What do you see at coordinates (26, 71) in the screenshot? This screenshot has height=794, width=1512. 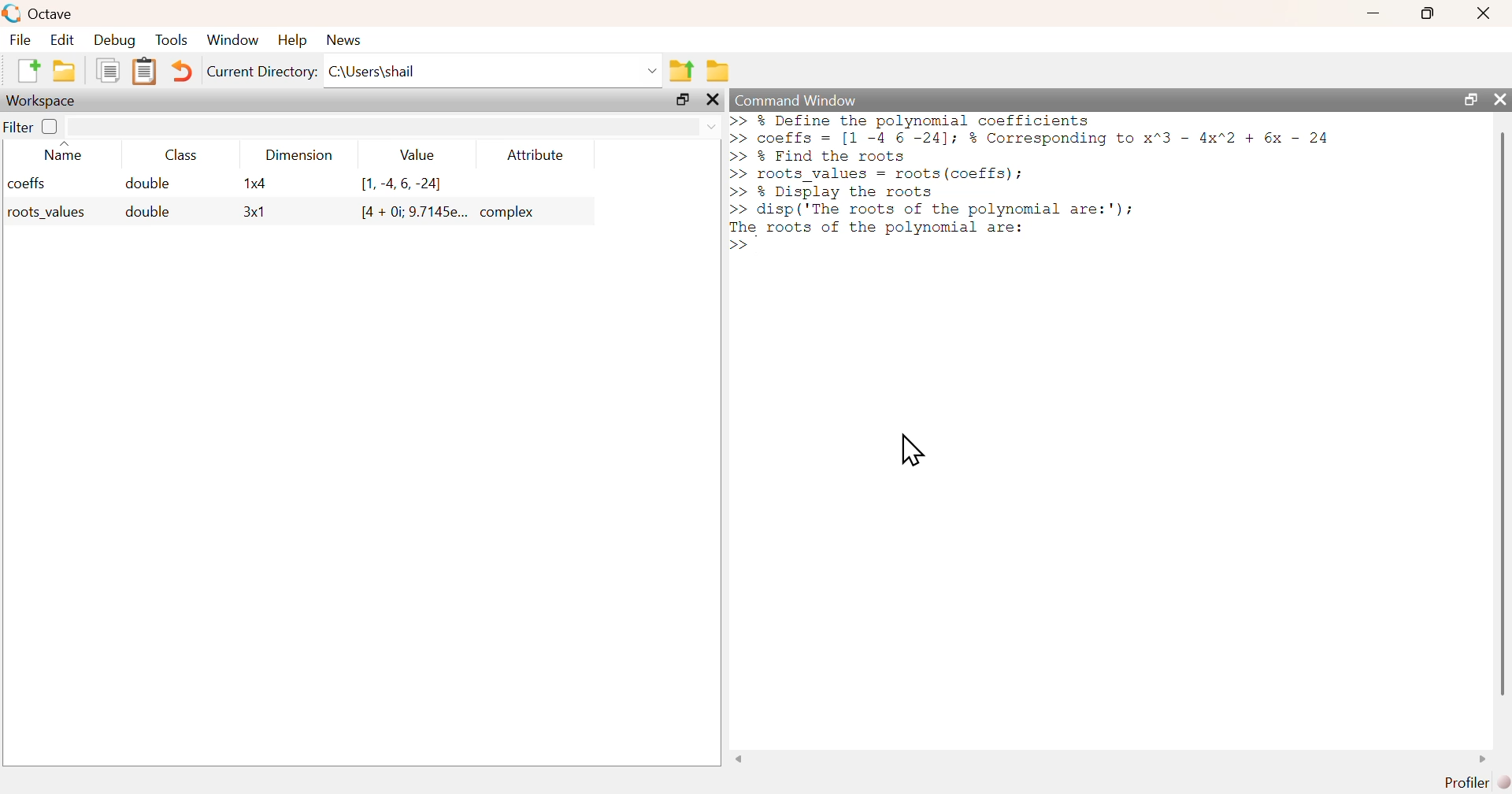 I see `New file` at bounding box center [26, 71].